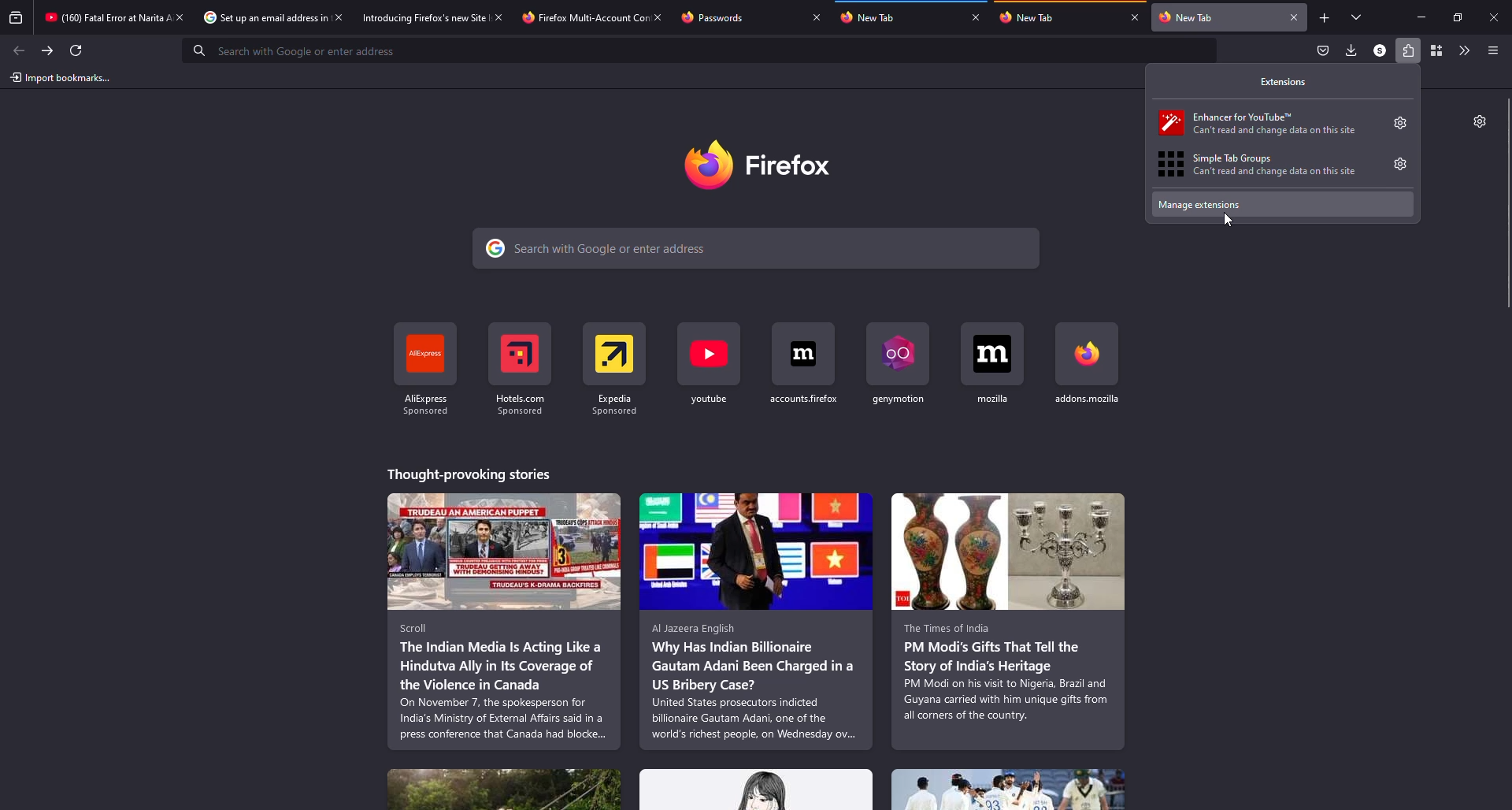 Image resolution: width=1512 pixels, height=810 pixels. Describe the element at coordinates (94, 17) in the screenshot. I see `tab` at that location.